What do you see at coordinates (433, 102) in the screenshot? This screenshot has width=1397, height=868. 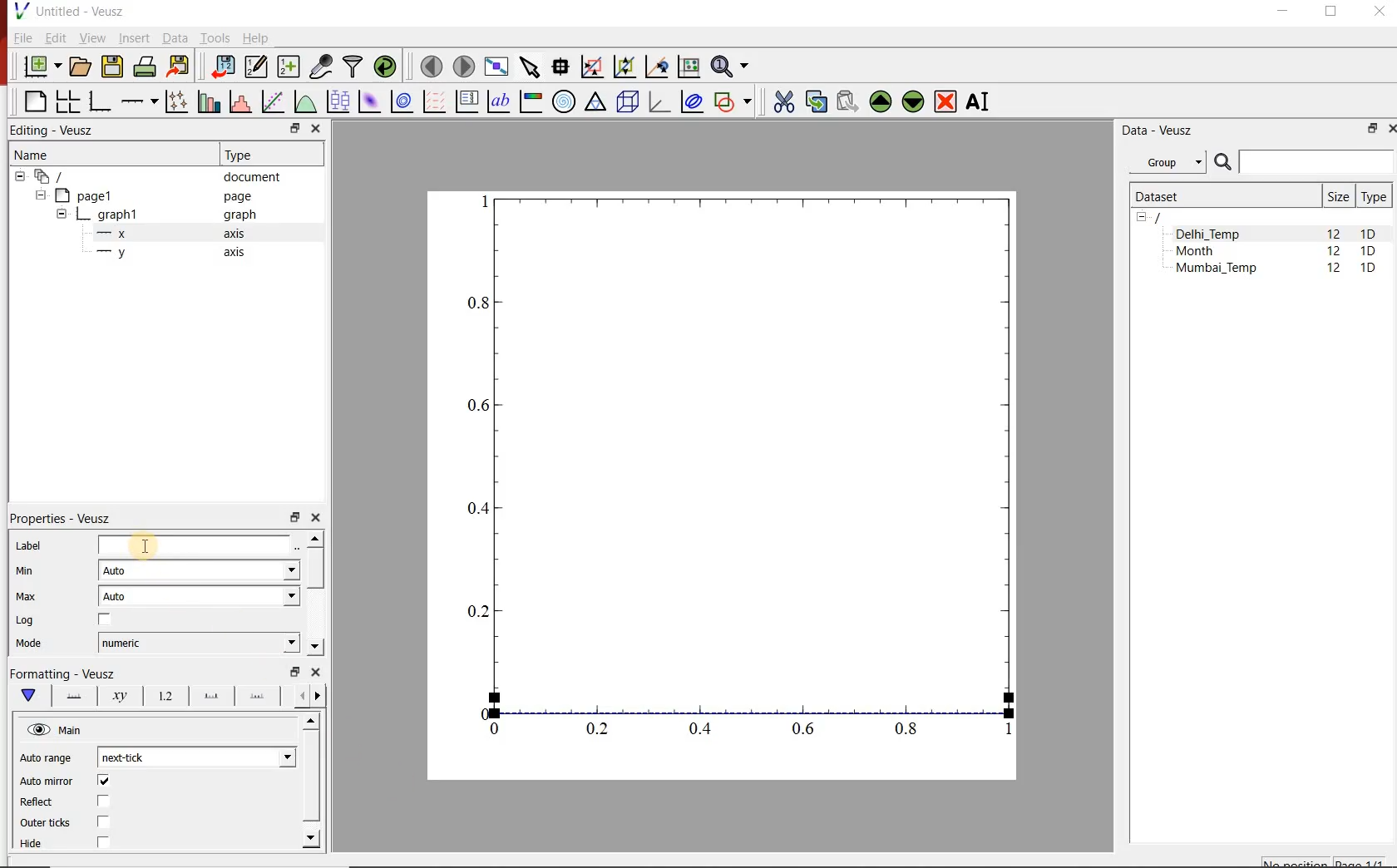 I see `plot a vector field` at bounding box center [433, 102].